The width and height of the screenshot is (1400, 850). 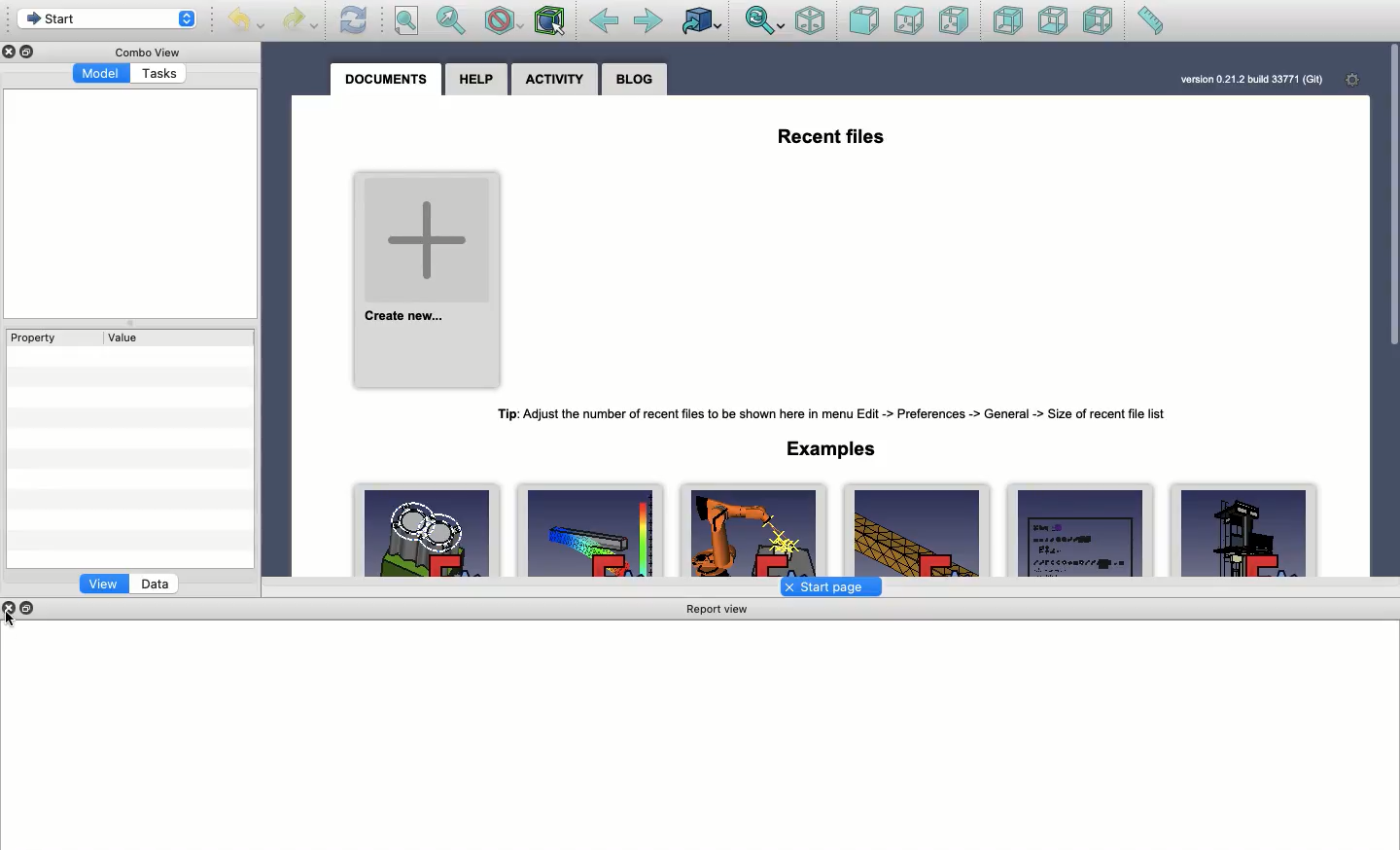 I want to click on RobotExample.FCStd Jurgen Riegel 199Kb, so click(x=754, y=530).